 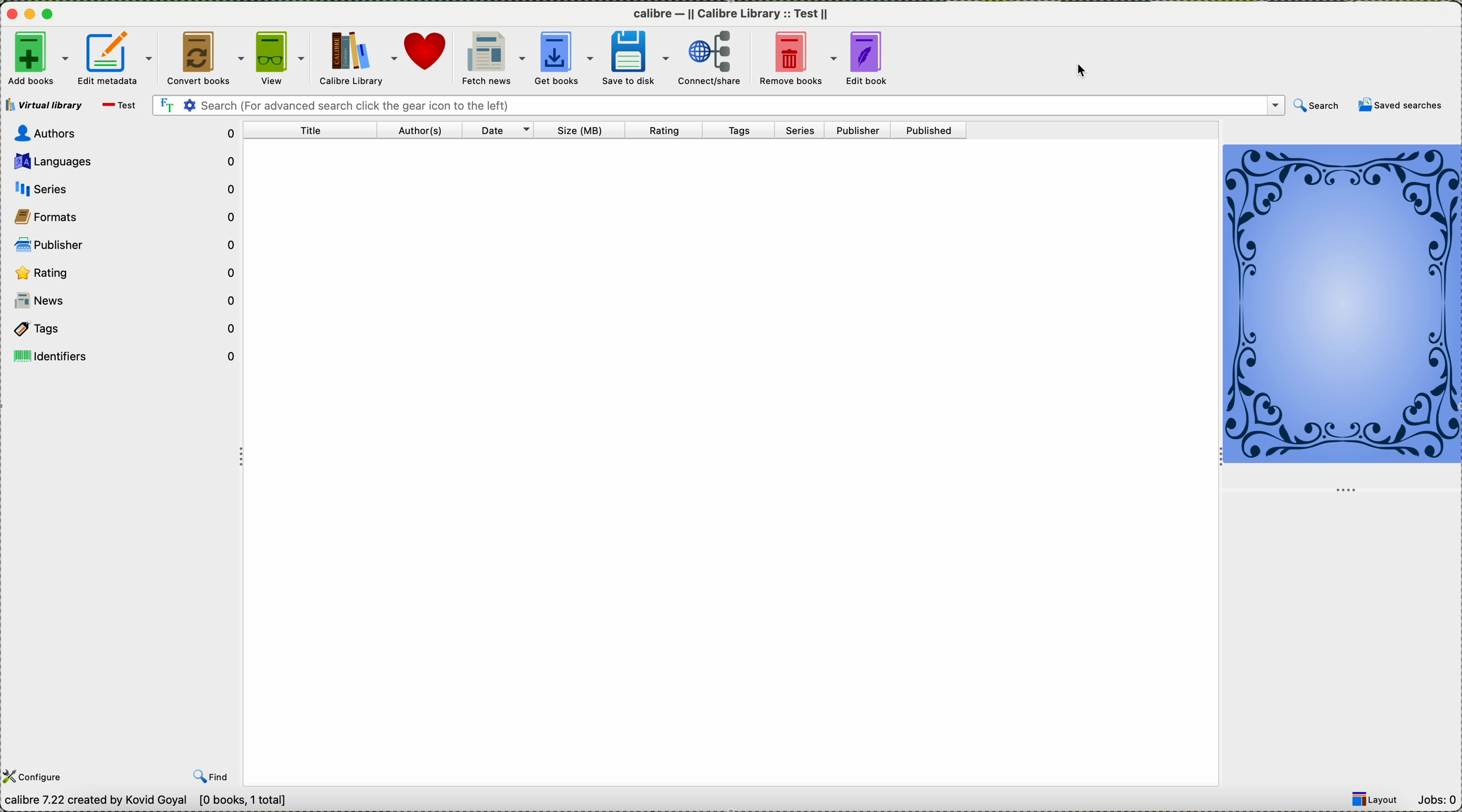 I want to click on layout, so click(x=1379, y=800).